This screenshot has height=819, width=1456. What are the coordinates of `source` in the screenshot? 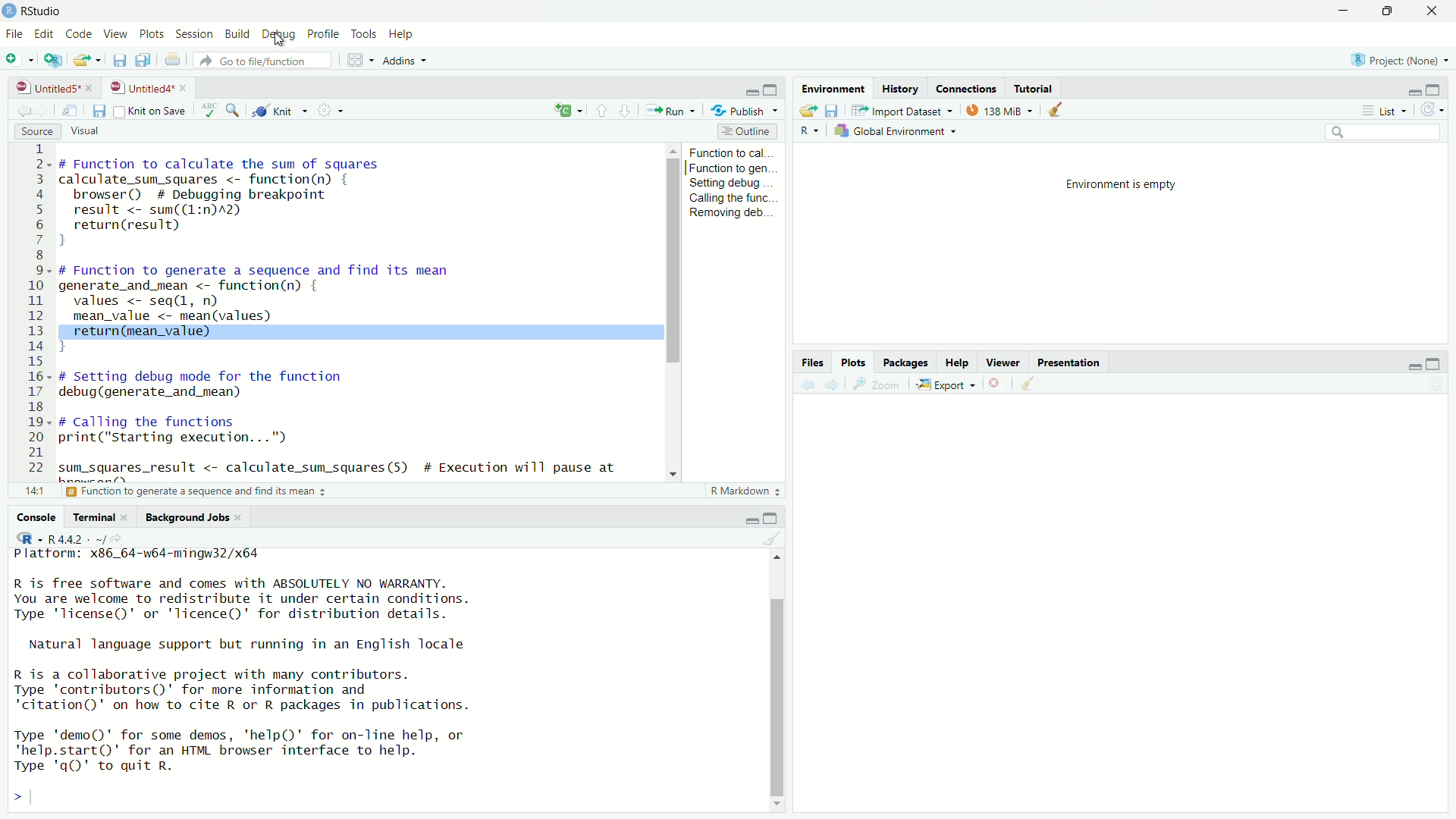 It's located at (36, 132).